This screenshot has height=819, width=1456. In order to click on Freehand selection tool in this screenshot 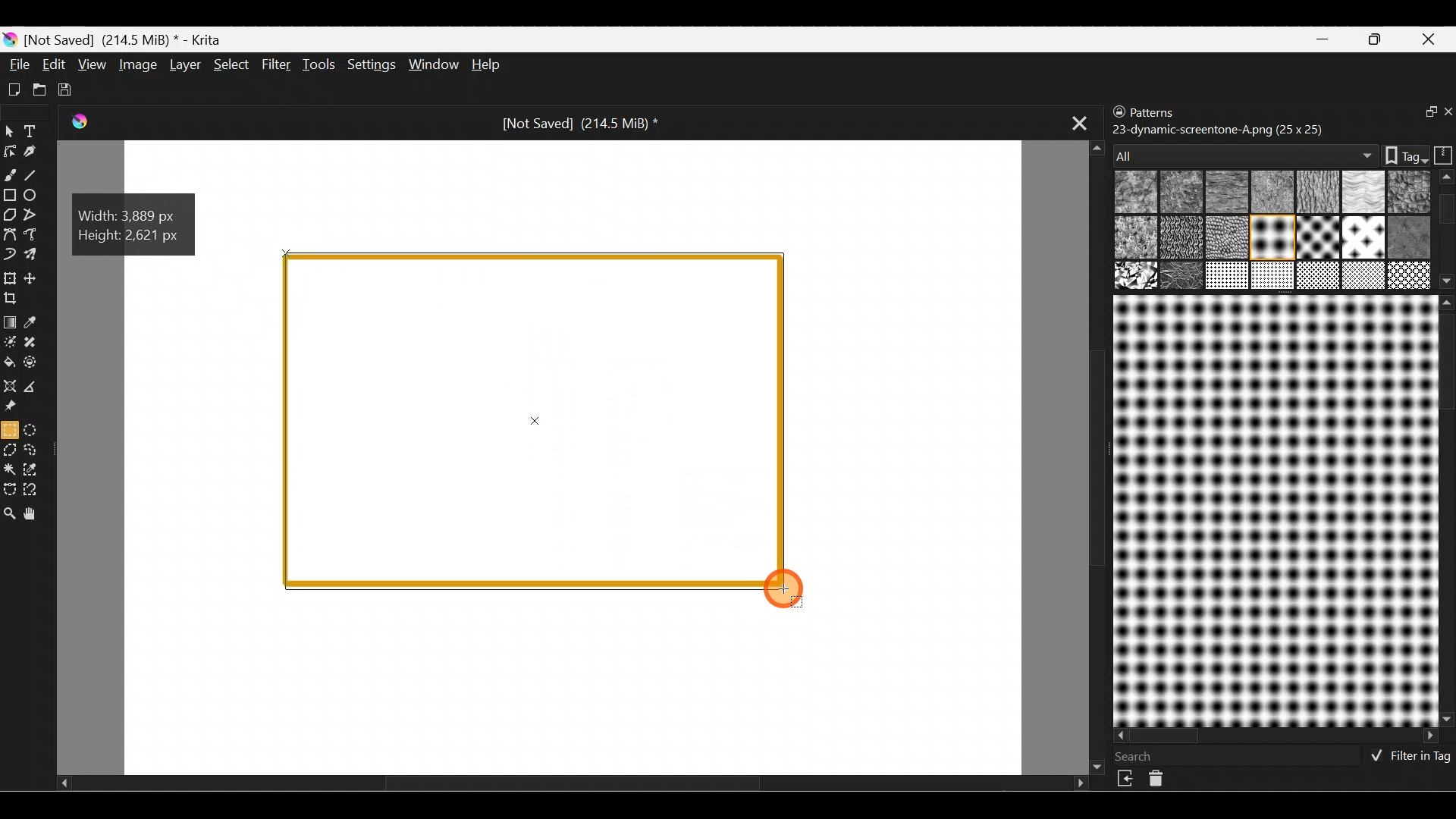, I will do `click(36, 450)`.